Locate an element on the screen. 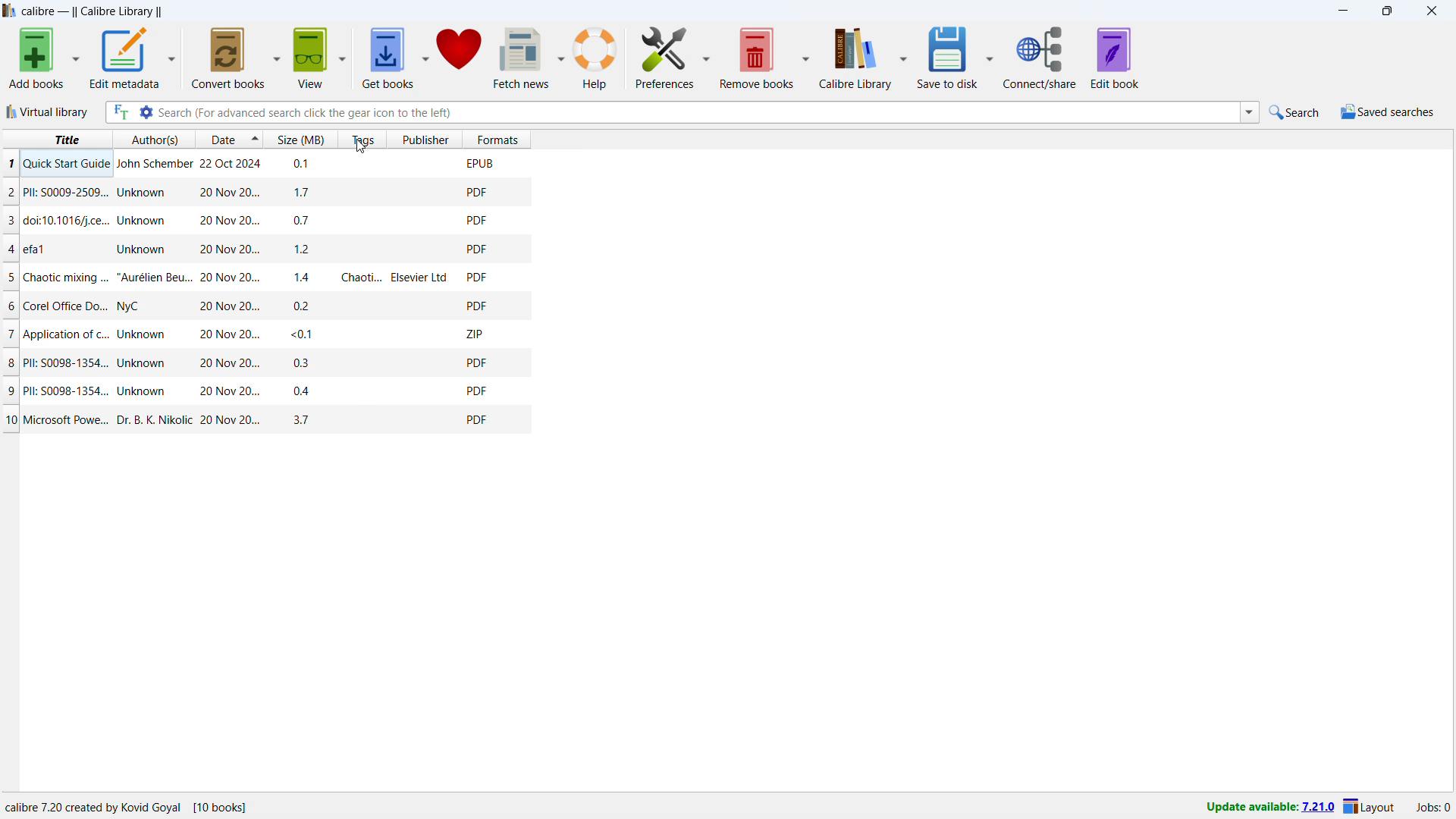  view is located at coordinates (310, 57).